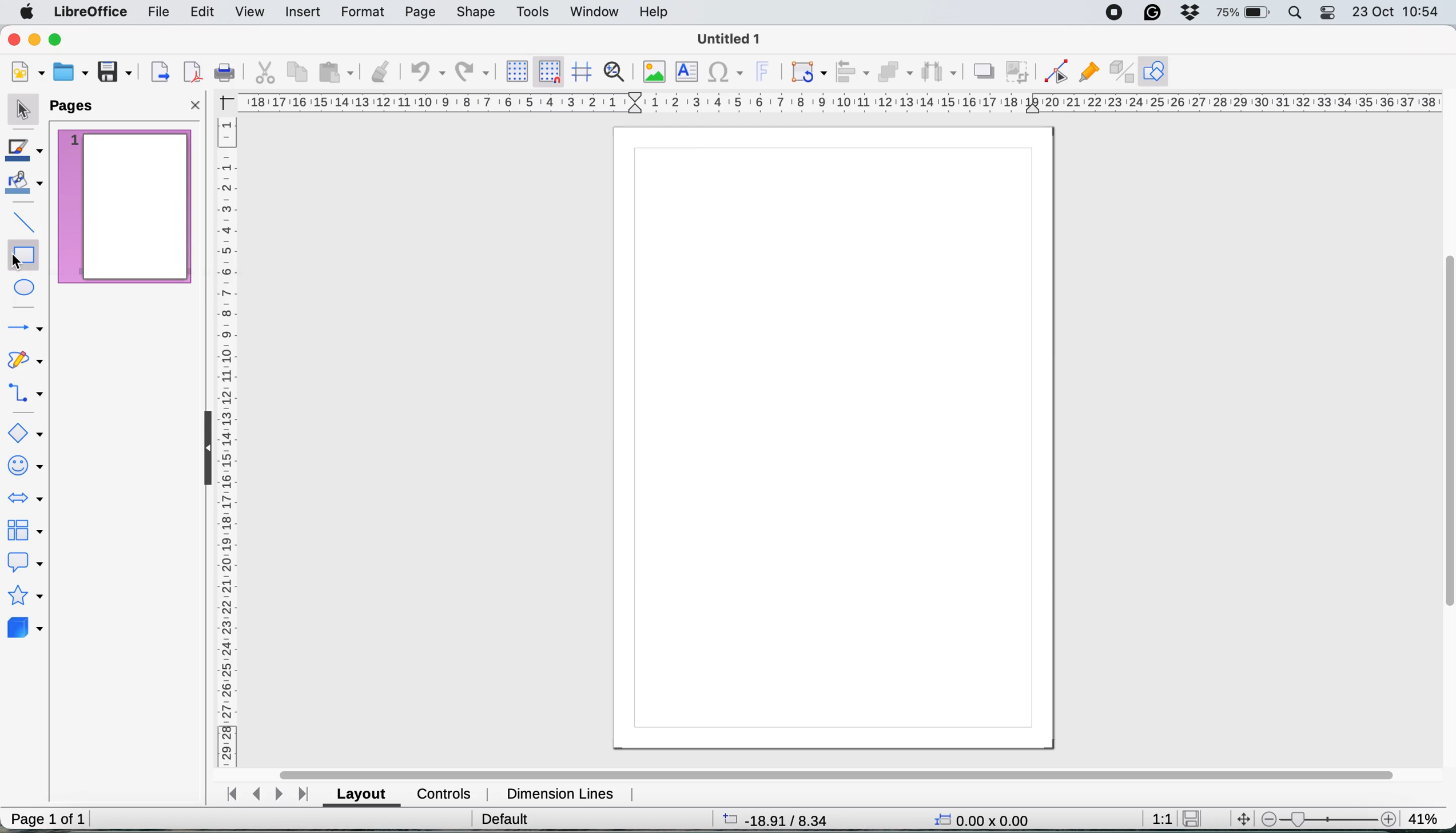 The image size is (1456, 833). Describe the element at coordinates (27, 431) in the screenshot. I see `basic shapes` at that location.